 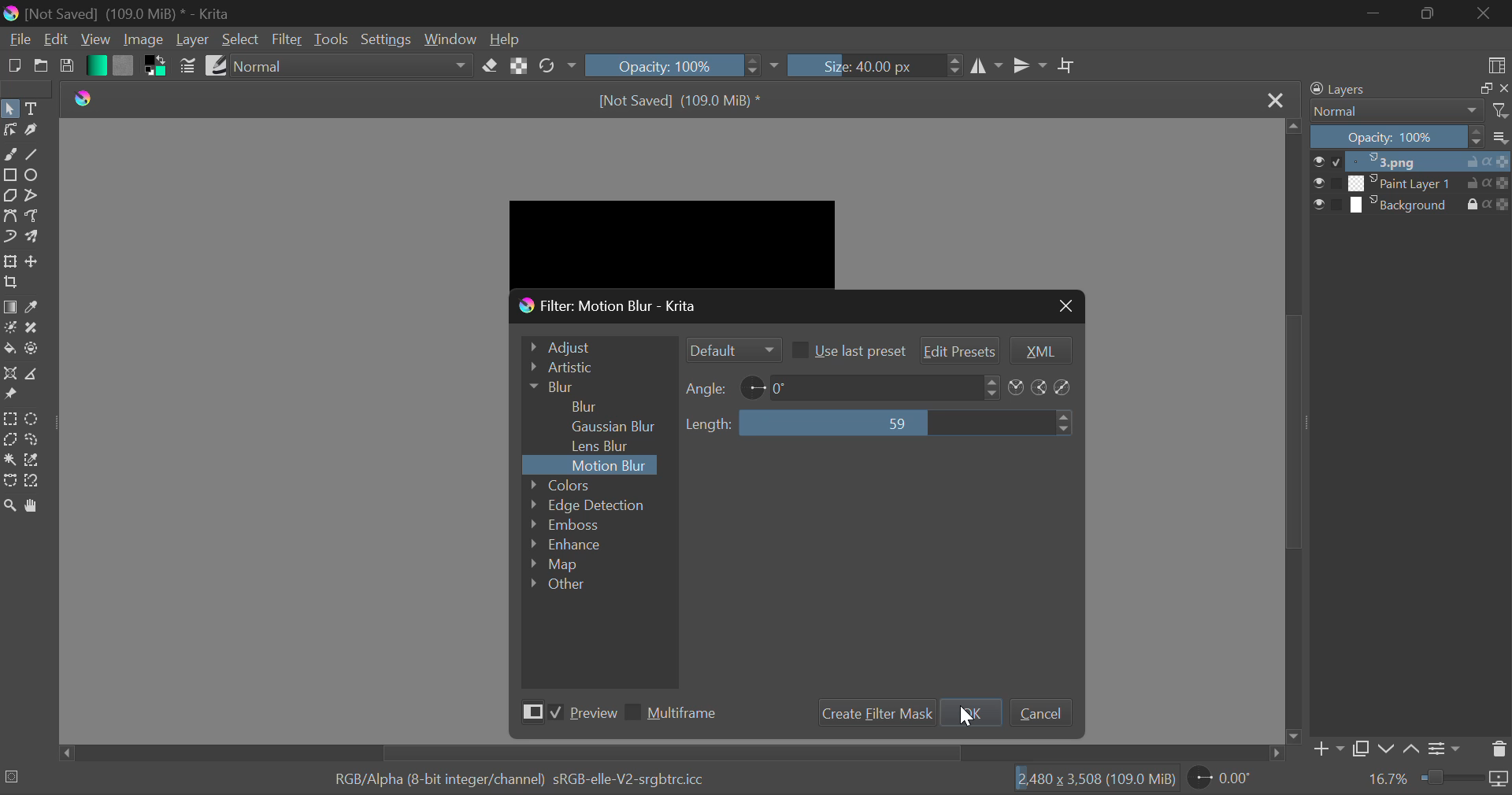 I want to click on Reference Images, so click(x=10, y=397).